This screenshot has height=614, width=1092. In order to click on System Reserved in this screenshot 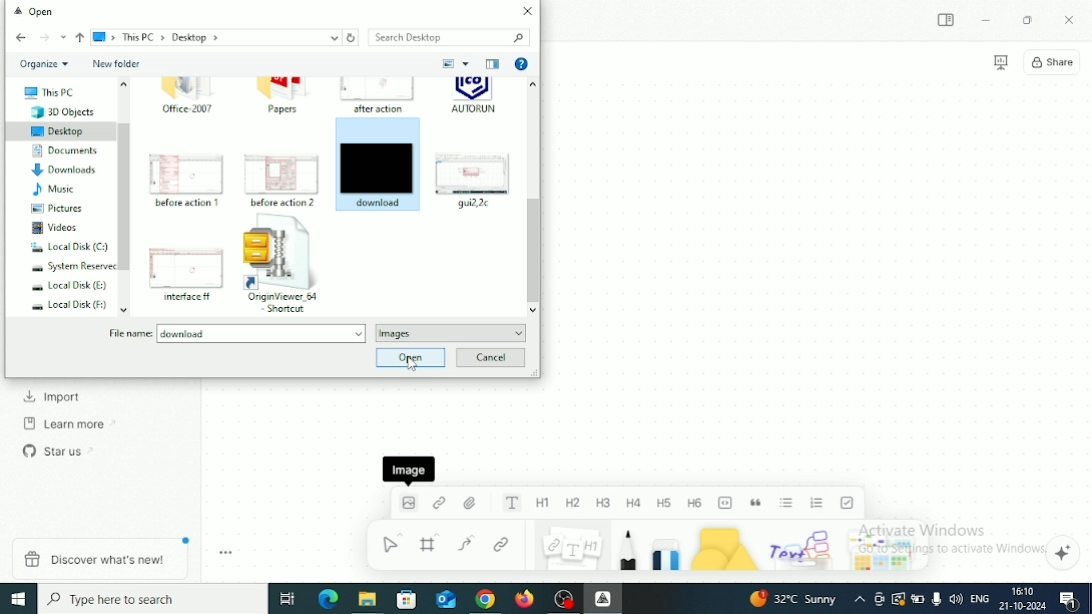, I will do `click(65, 268)`.